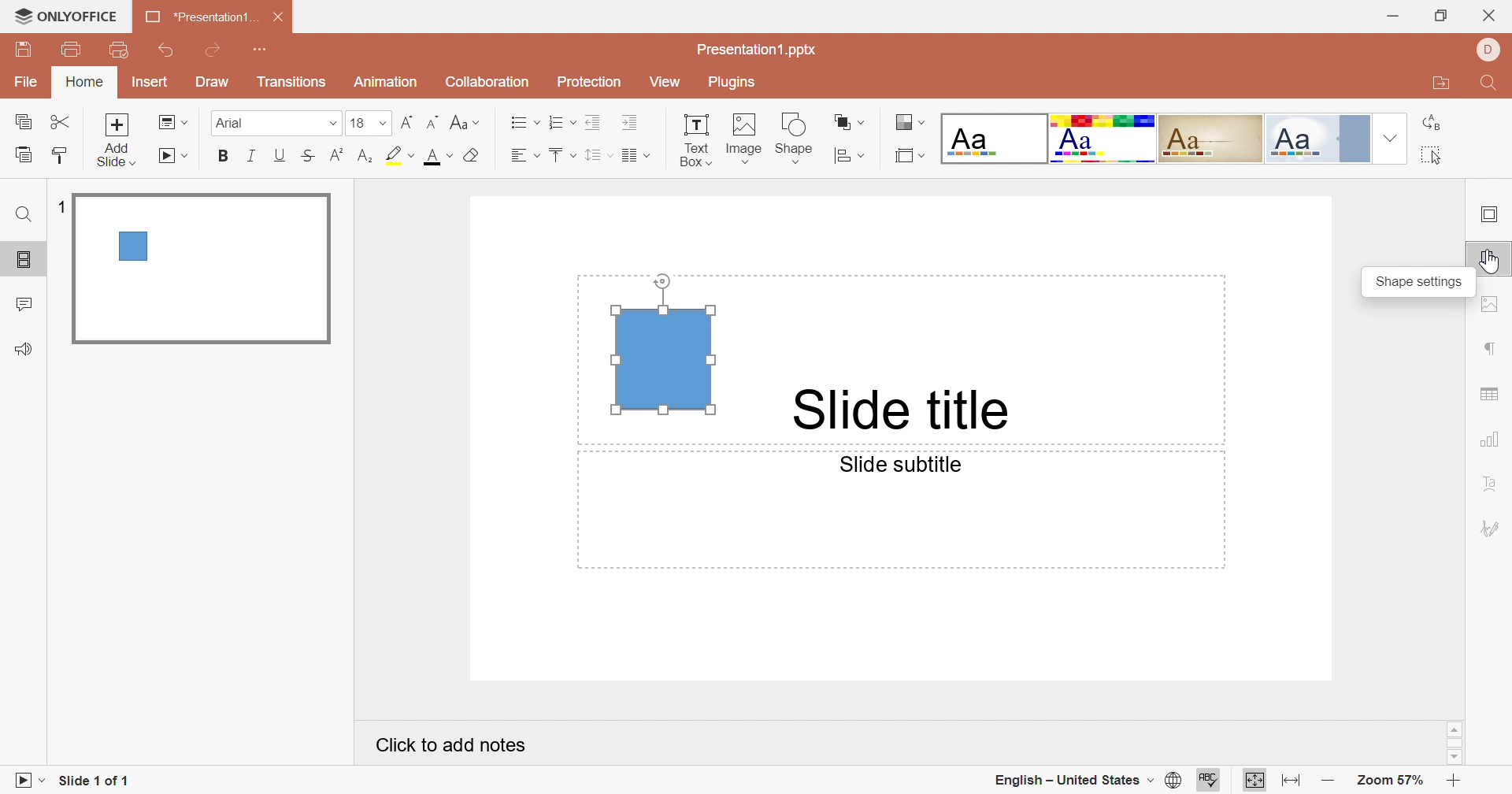 The height and width of the screenshot is (794, 1512). What do you see at coordinates (1069, 779) in the screenshot?
I see `English - United States` at bounding box center [1069, 779].